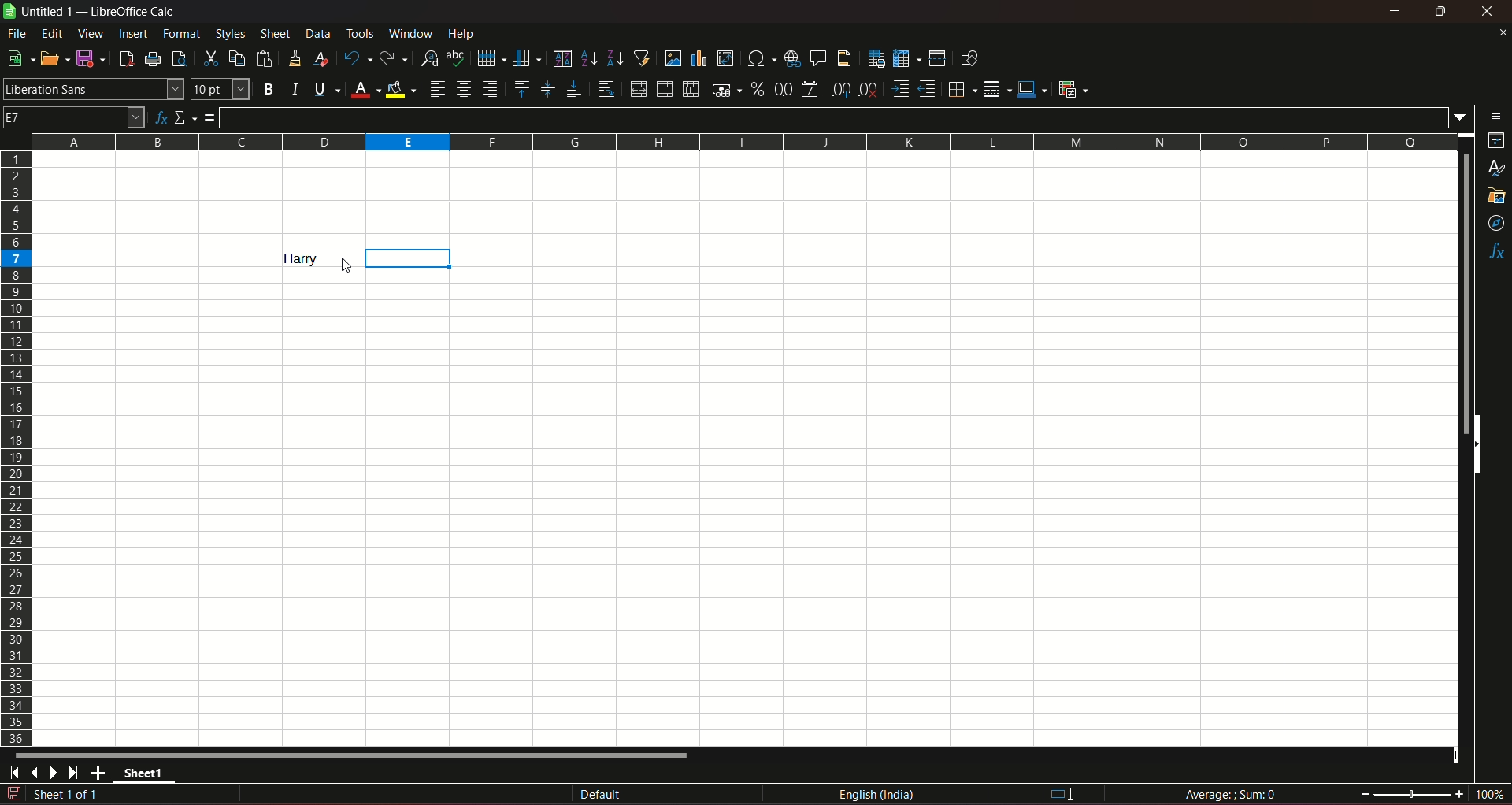 The width and height of the screenshot is (1512, 805). I want to click on wrap text, so click(606, 90).